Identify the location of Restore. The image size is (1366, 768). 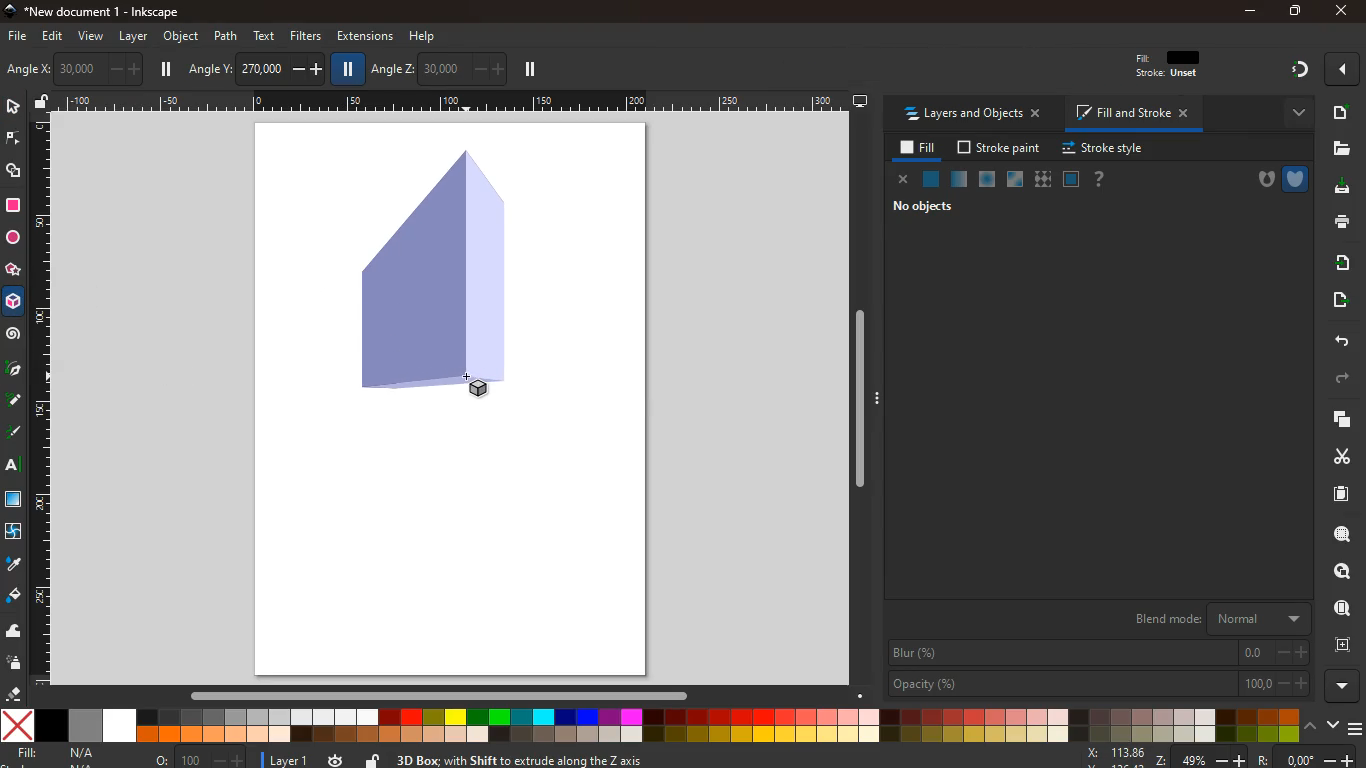
(1293, 12).